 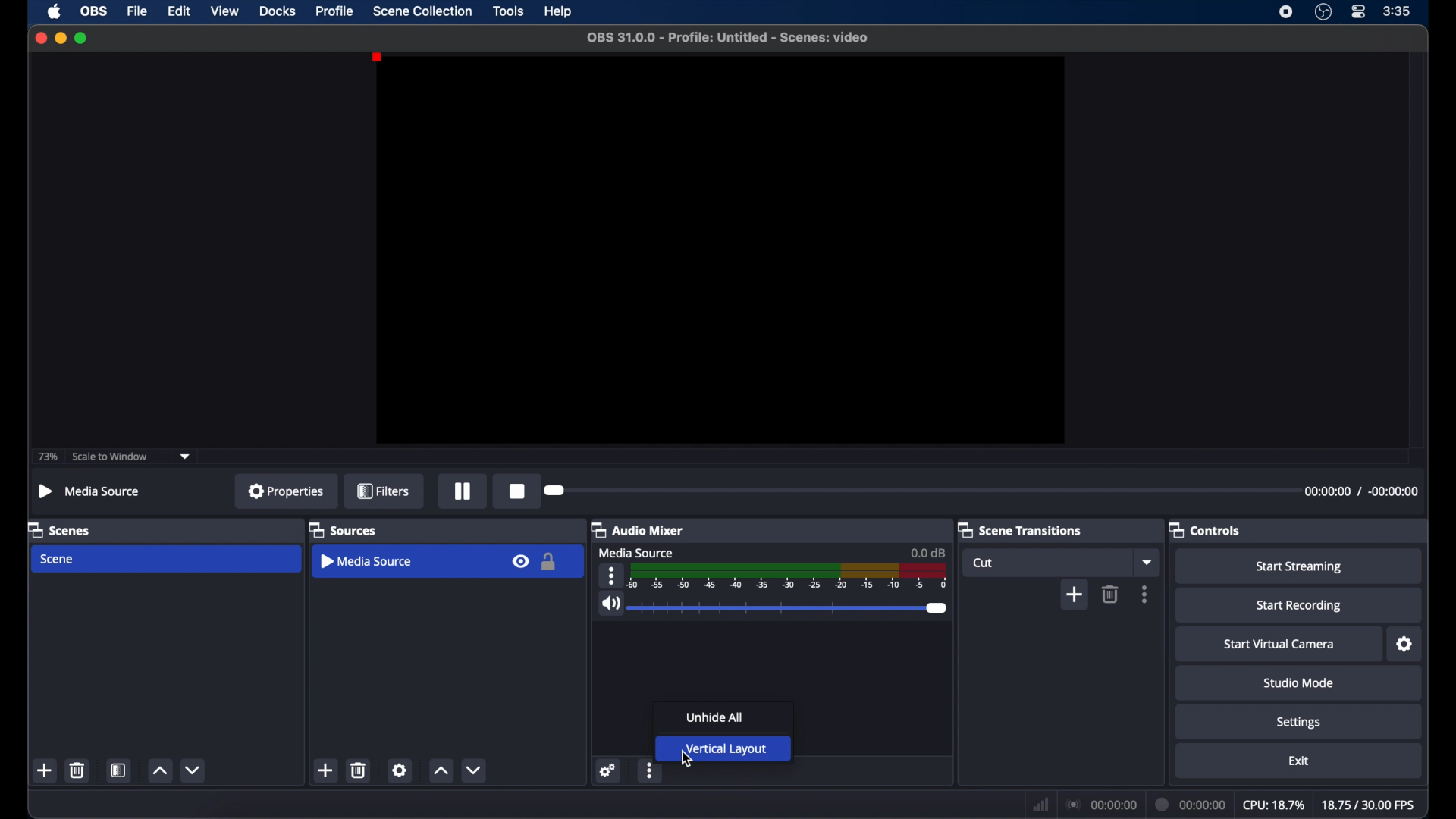 What do you see at coordinates (60, 39) in the screenshot?
I see `minimize` at bounding box center [60, 39].